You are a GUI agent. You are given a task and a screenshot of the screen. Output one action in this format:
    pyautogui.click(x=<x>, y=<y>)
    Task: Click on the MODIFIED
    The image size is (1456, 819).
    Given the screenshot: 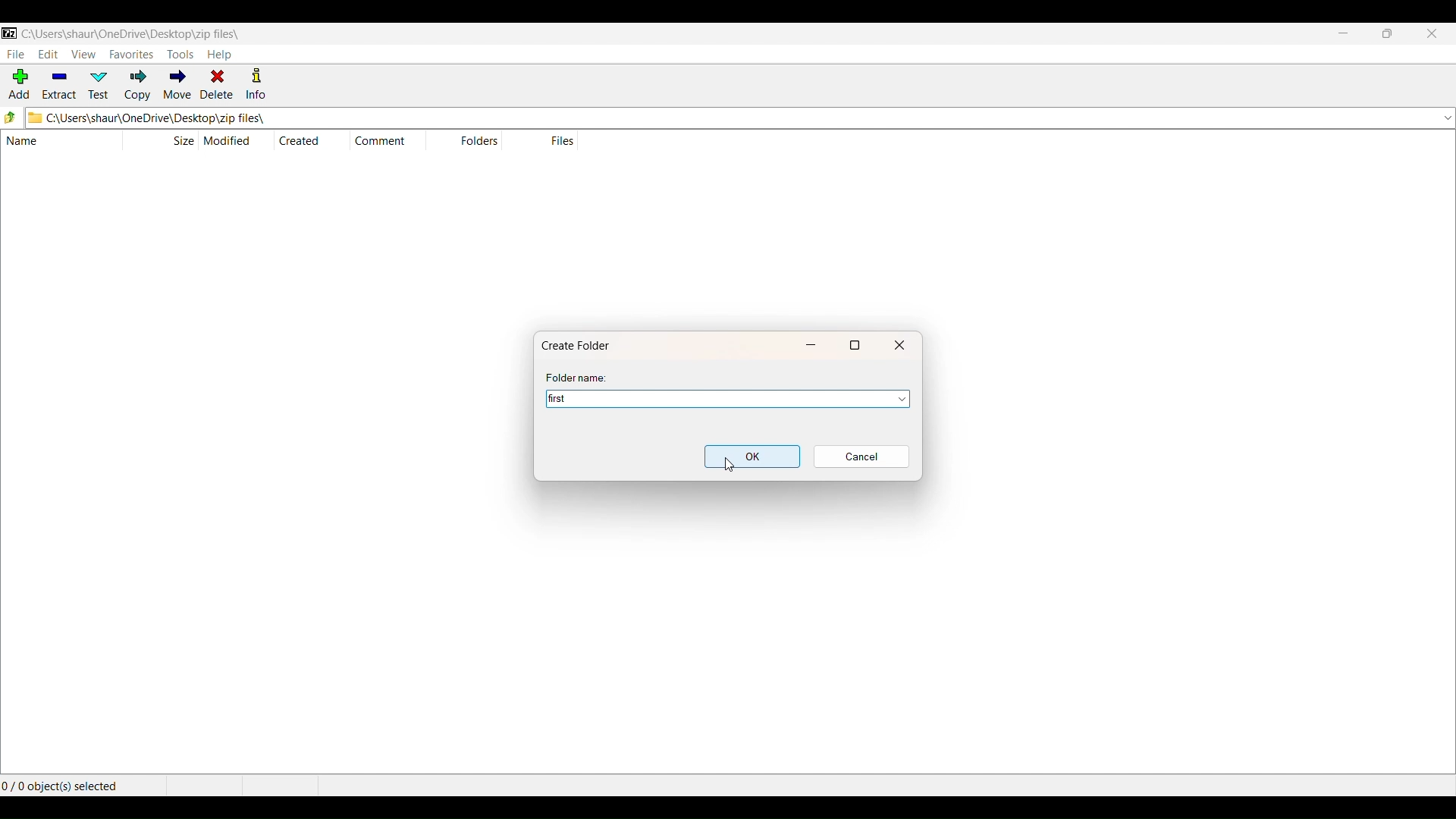 What is the action you would take?
    pyautogui.click(x=231, y=140)
    